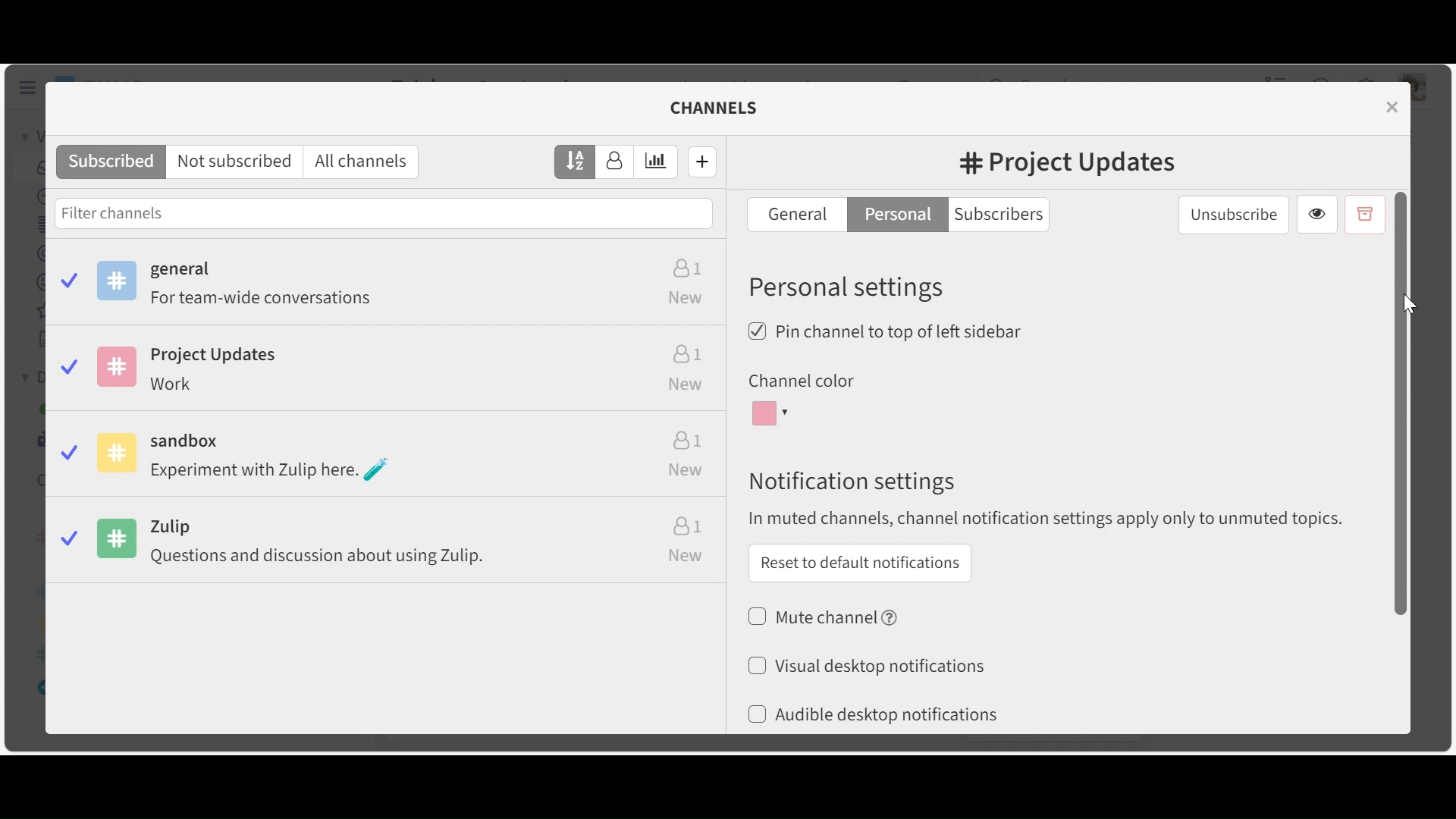 Image resolution: width=1456 pixels, height=819 pixels. Describe the element at coordinates (1234, 214) in the screenshot. I see `unsubscribe` at that location.